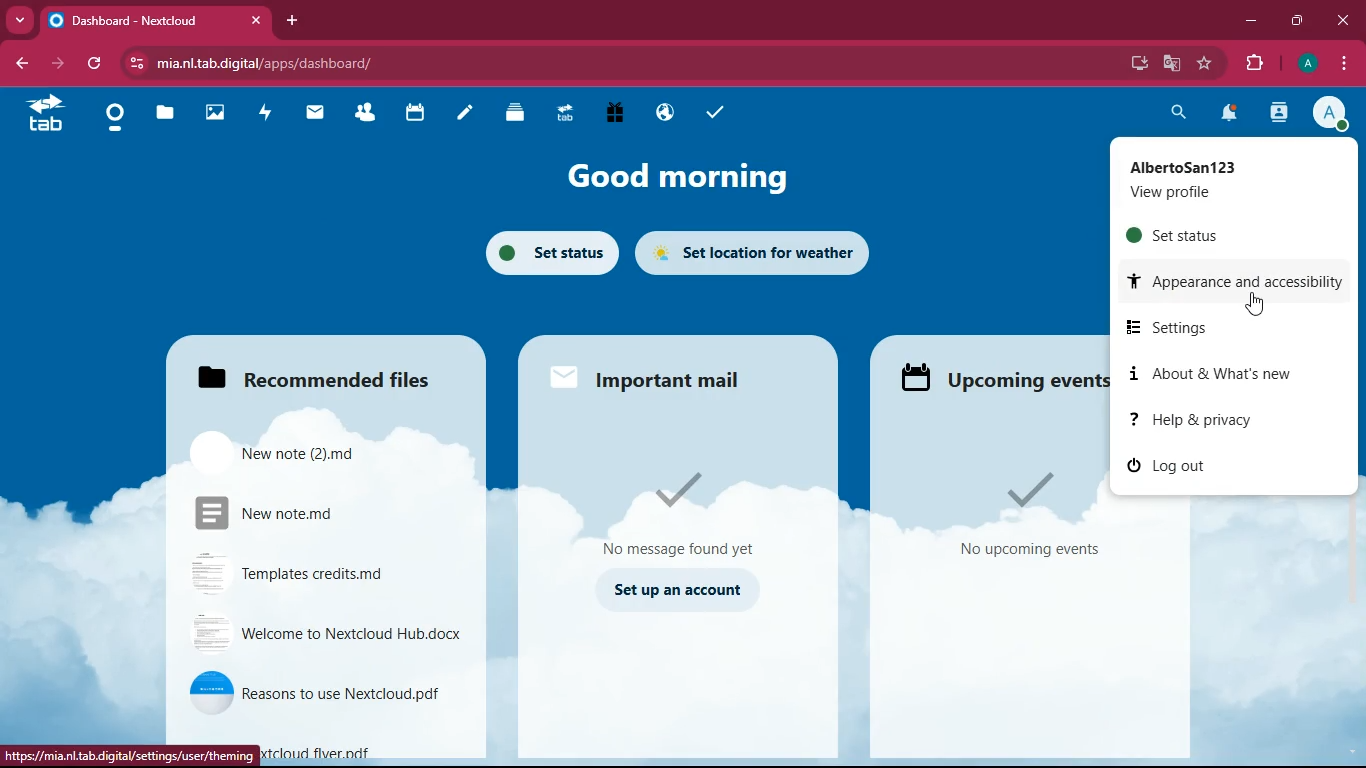 The image size is (1366, 768). I want to click on home, so click(117, 124).